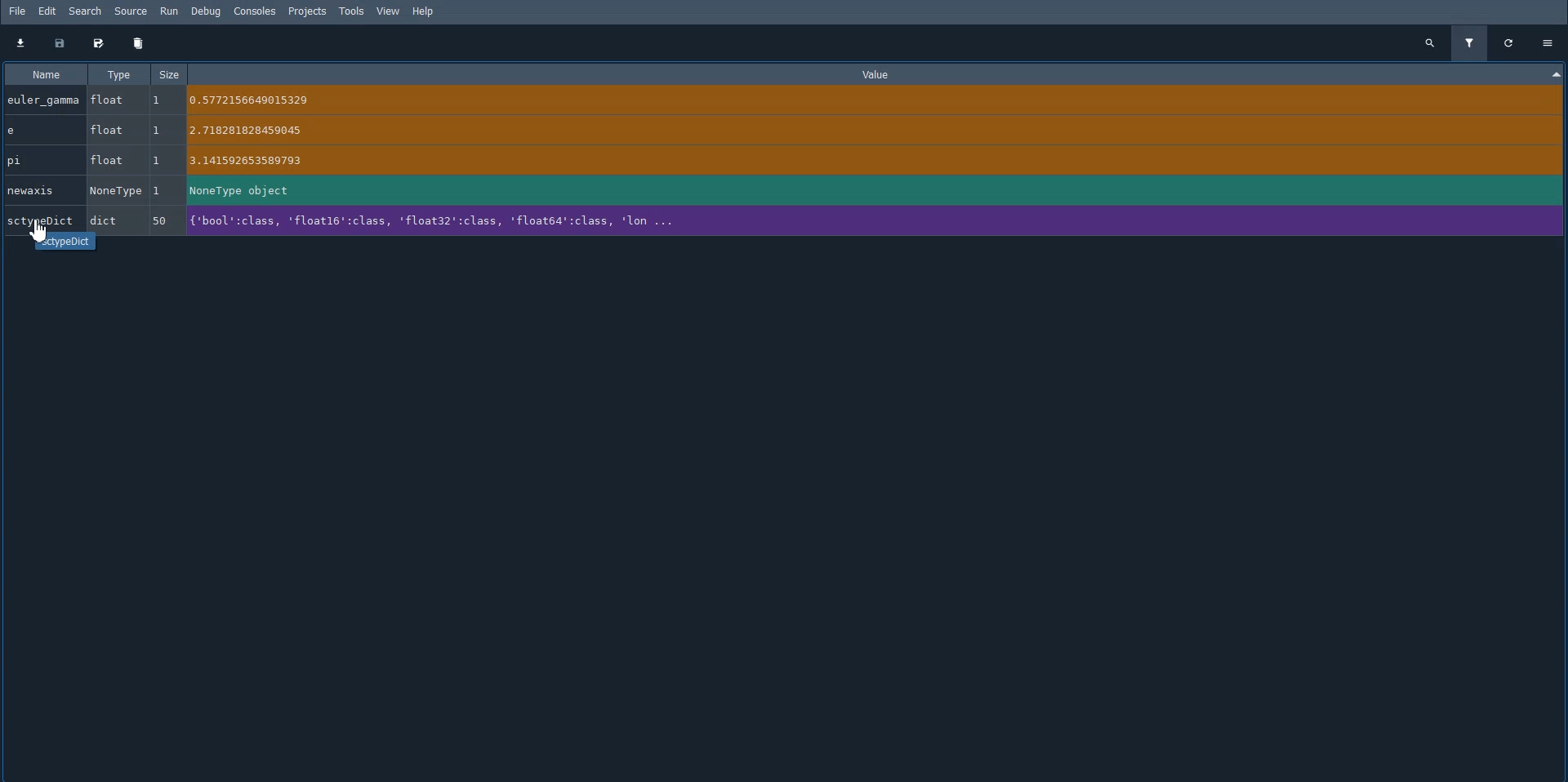  I want to click on Help, so click(423, 12).